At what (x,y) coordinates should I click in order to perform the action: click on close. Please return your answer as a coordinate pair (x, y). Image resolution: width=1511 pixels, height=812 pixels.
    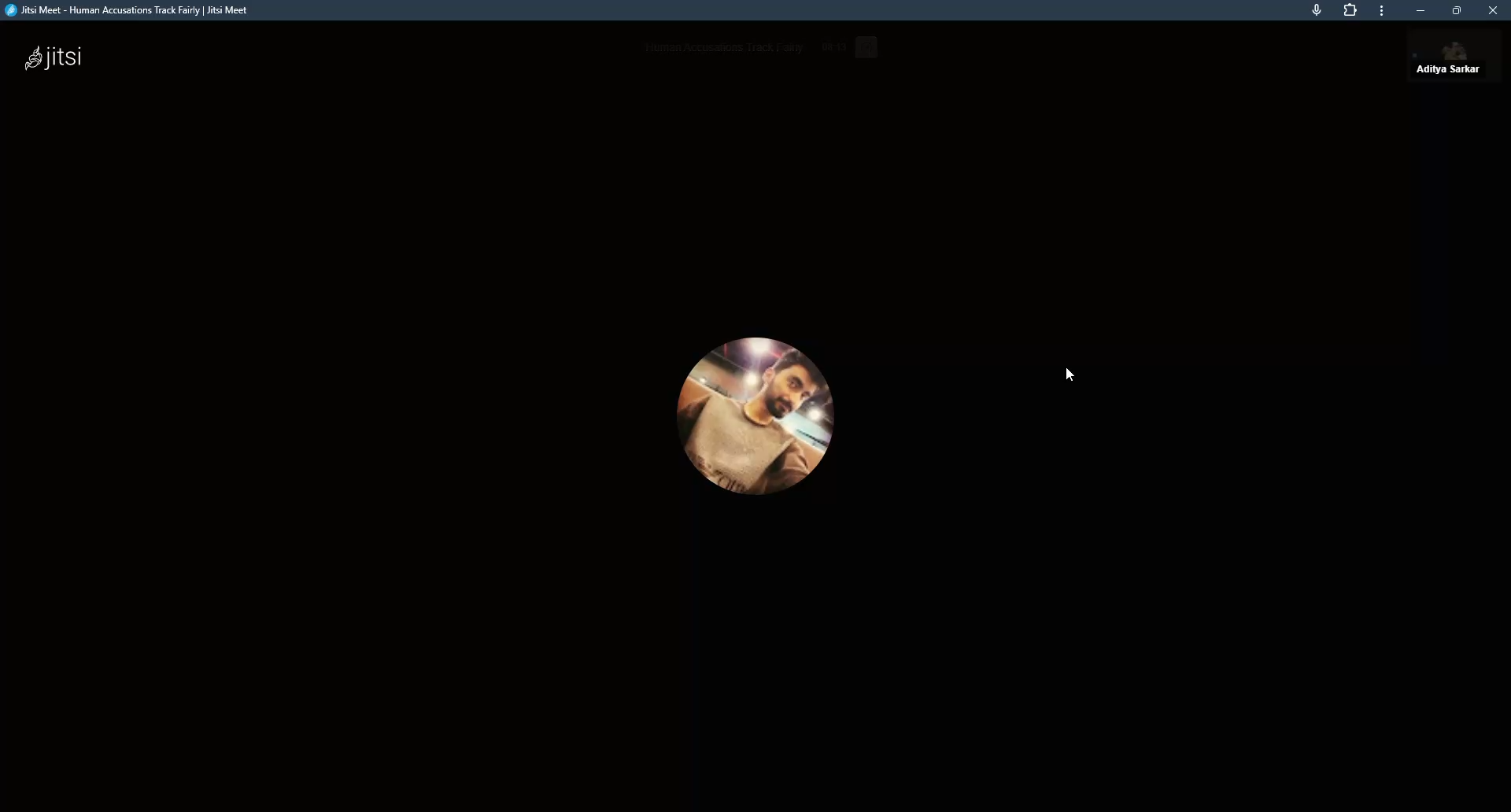
    Looking at the image, I should click on (1492, 10).